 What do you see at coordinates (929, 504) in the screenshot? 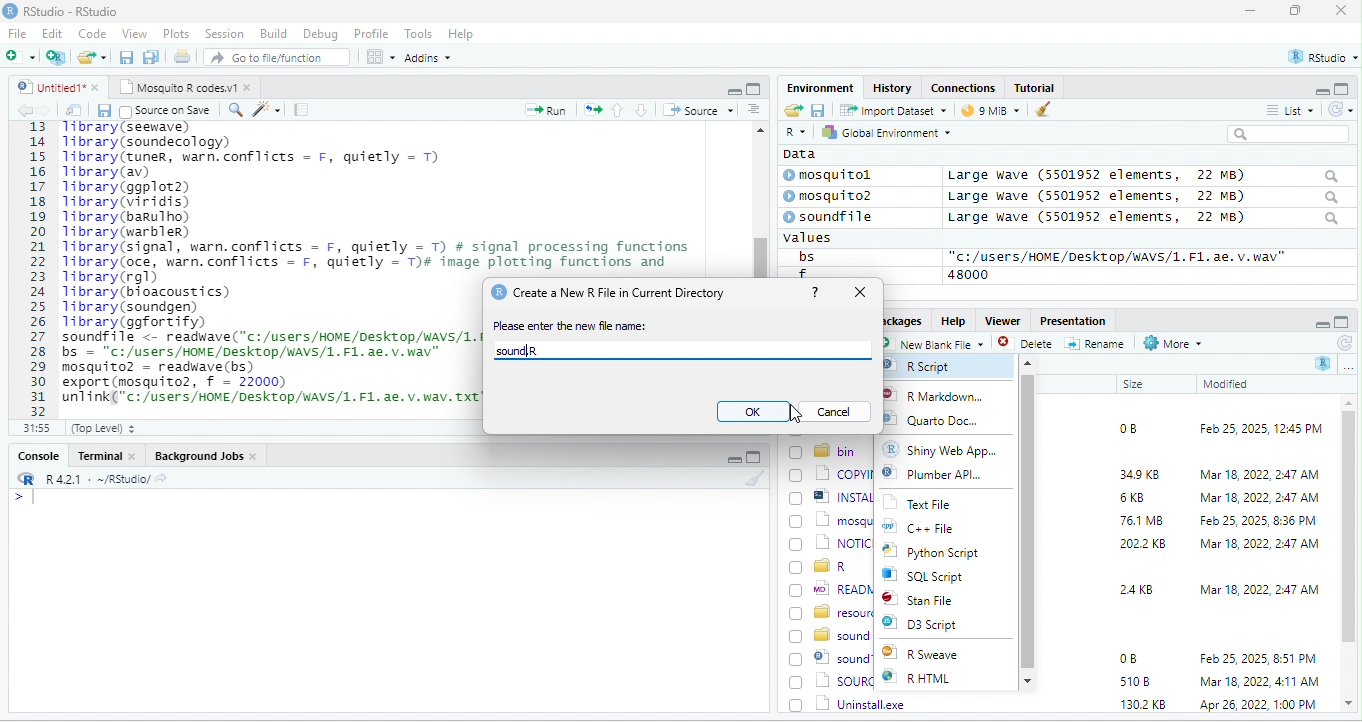
I see `Text File` at bounding box center [929, 504].